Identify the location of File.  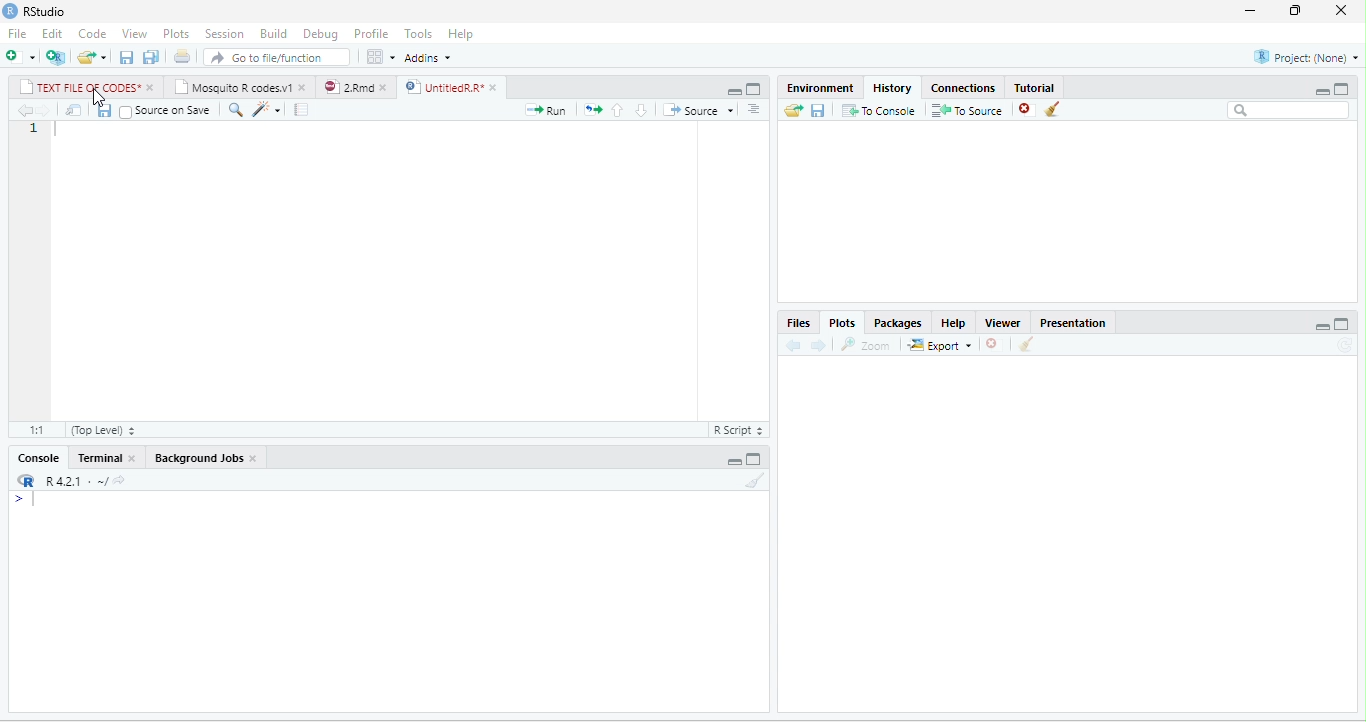
(17, 34).